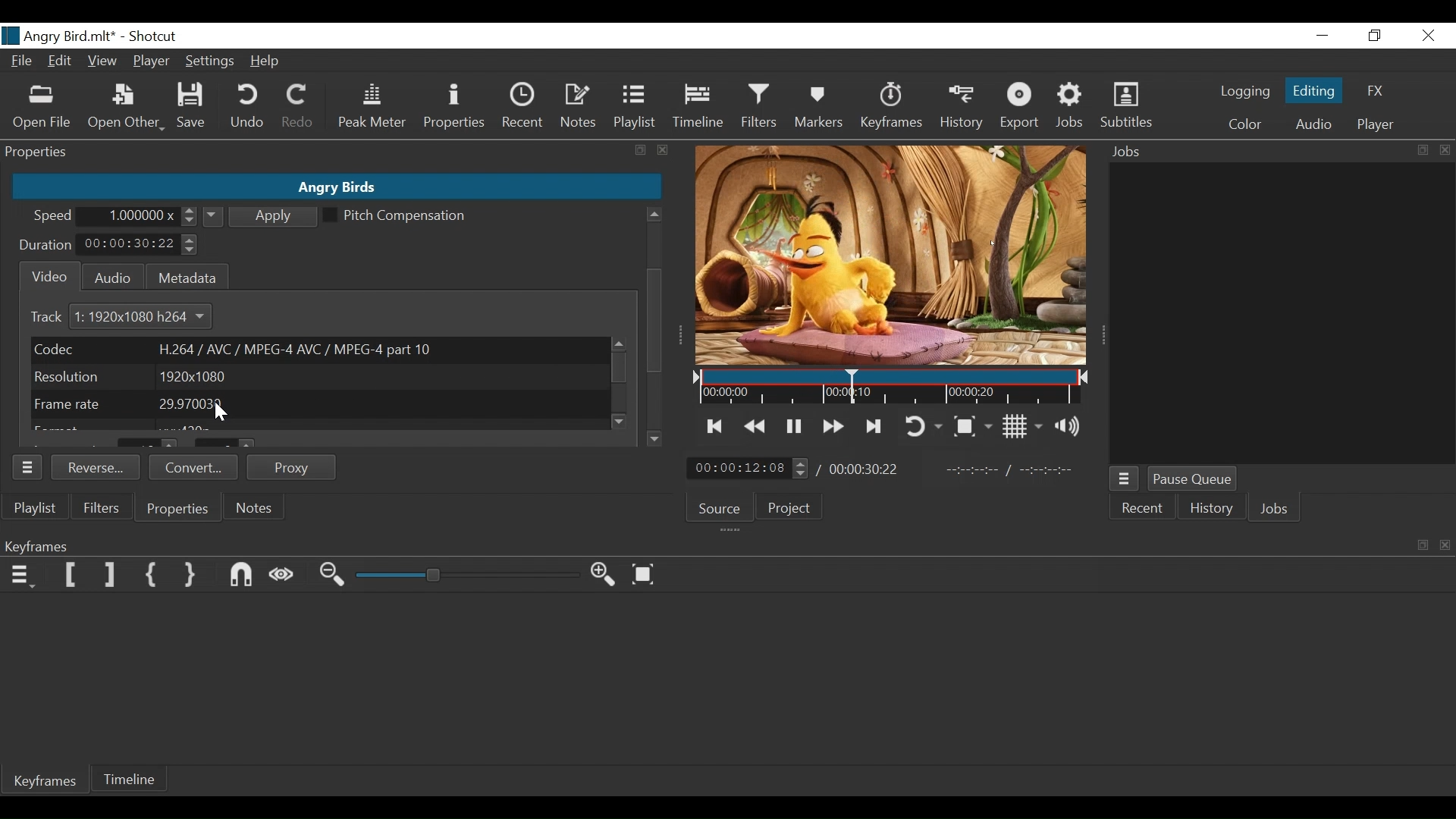 The width and height of the screenshot is (1456, 819). I want to click on Export, so click(1023, 108).